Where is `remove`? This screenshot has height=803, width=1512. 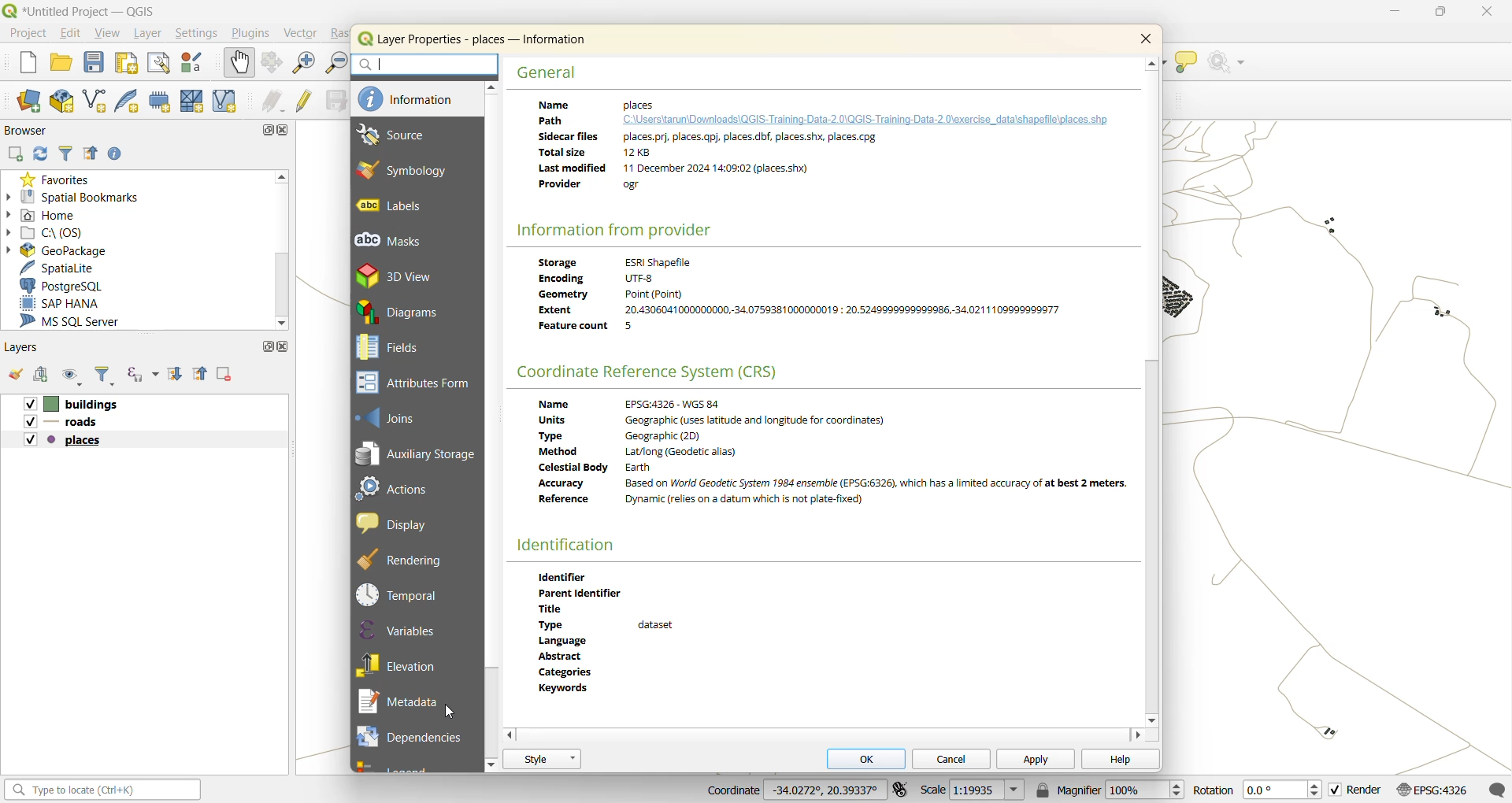
remove is located at coordinates (222, 372).